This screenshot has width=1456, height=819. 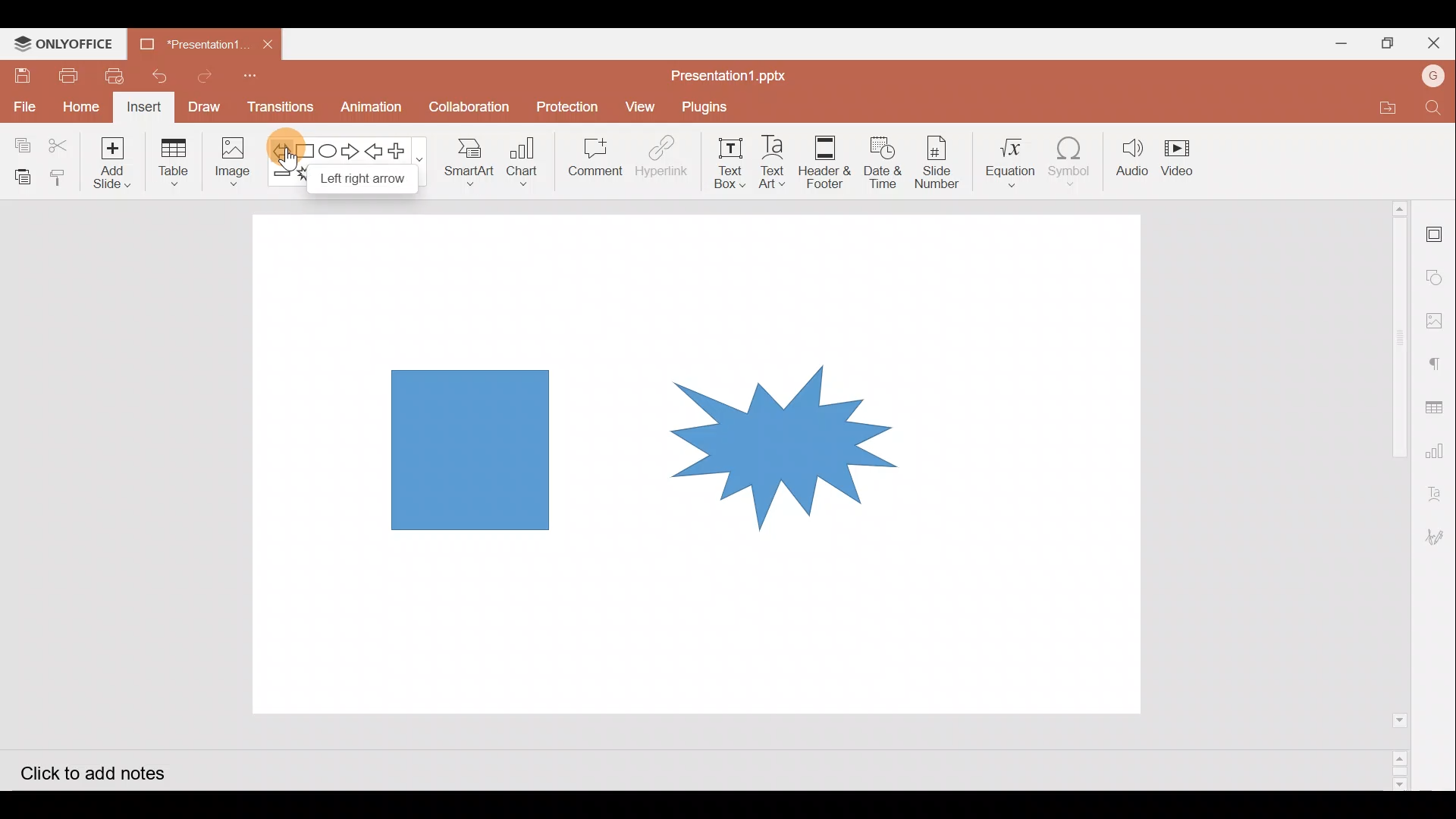 I want to click on Cursor on left right arrow, so click(x=286, y=152).